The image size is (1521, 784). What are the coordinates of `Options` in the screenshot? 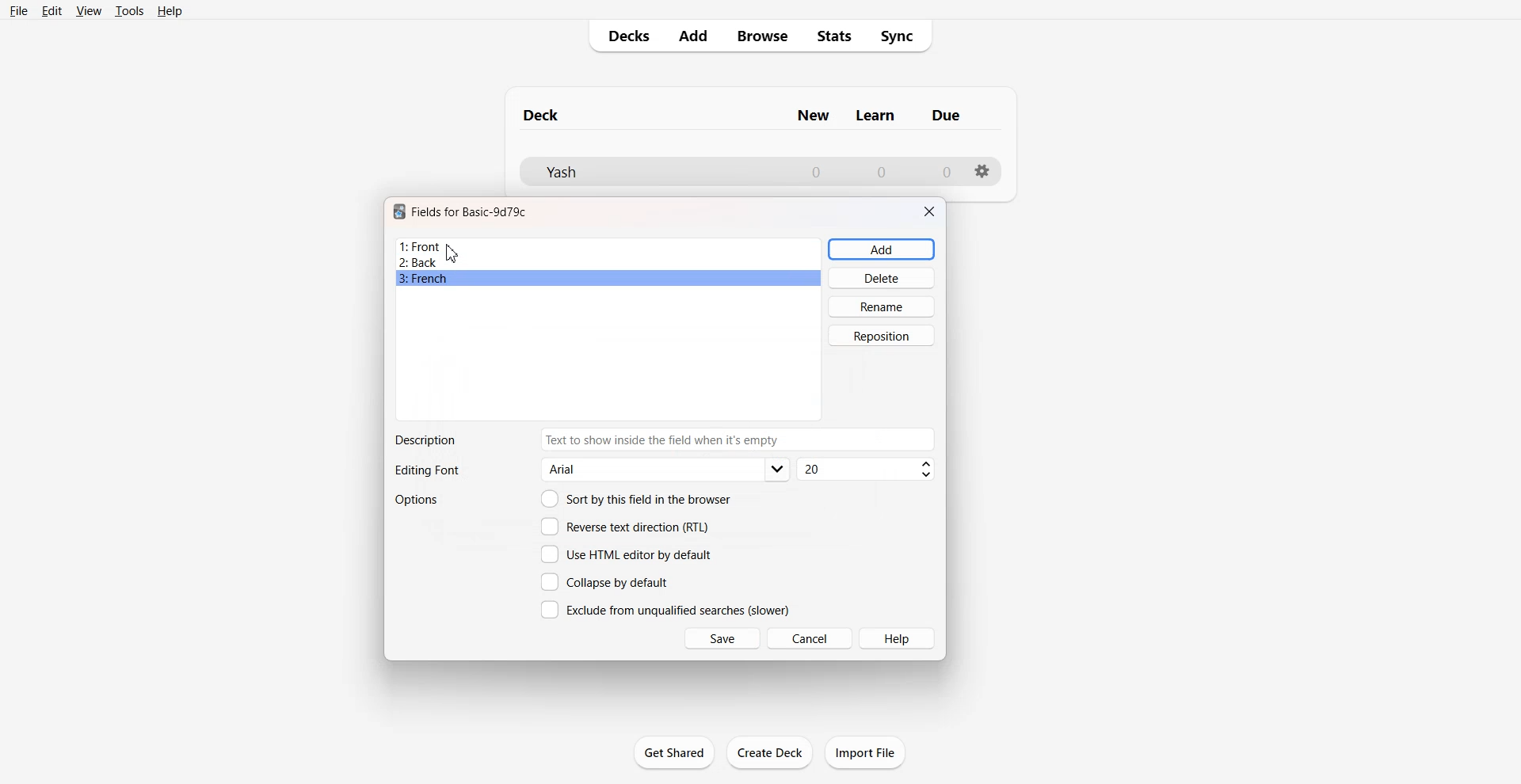 It's located at (418, 500).